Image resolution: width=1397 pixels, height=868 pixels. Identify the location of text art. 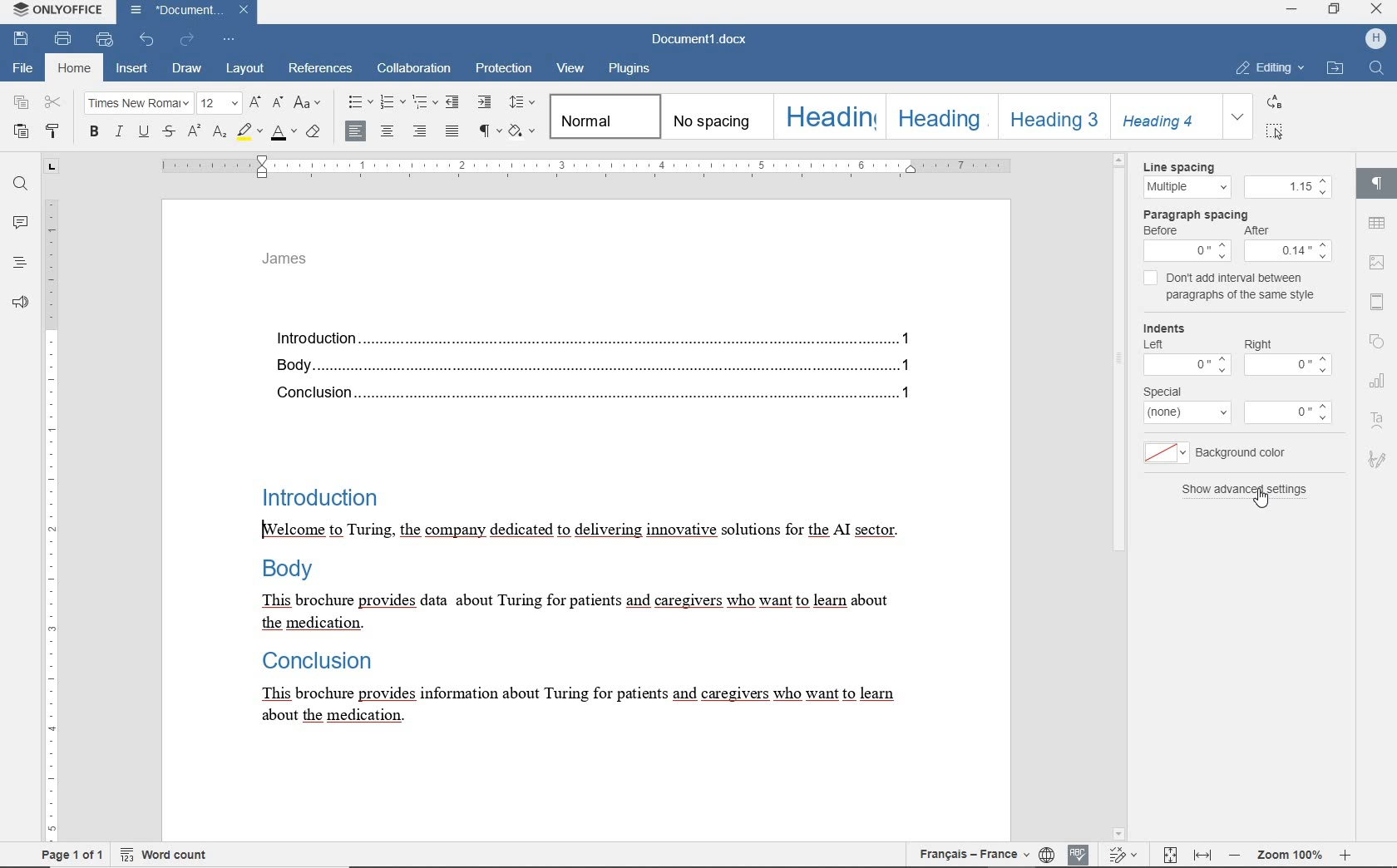
(1377, 420).